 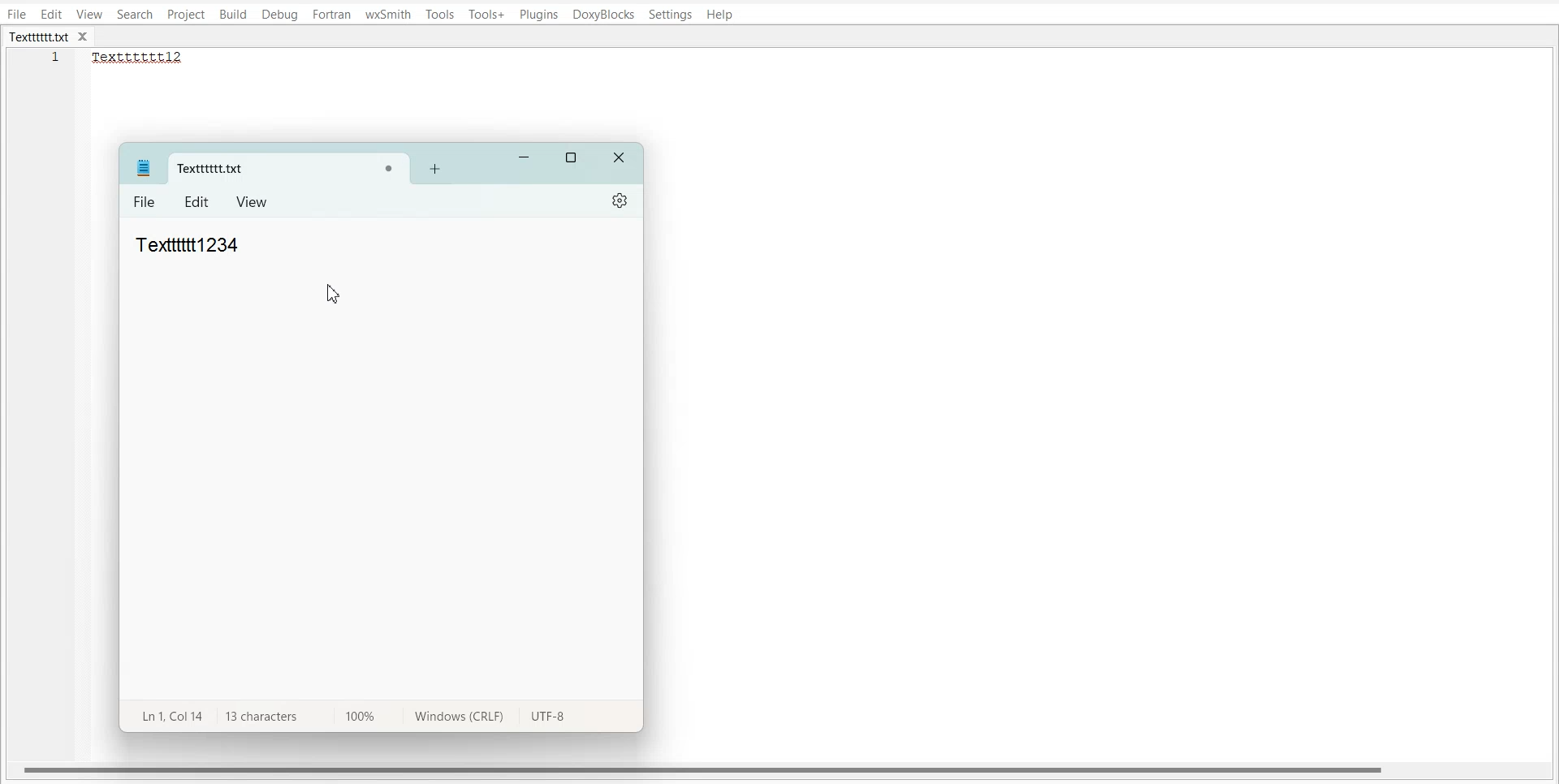 What do you see at coordinates (440, 14) in the screenshot?
I see `Tools` at bounding box center [440, 14].